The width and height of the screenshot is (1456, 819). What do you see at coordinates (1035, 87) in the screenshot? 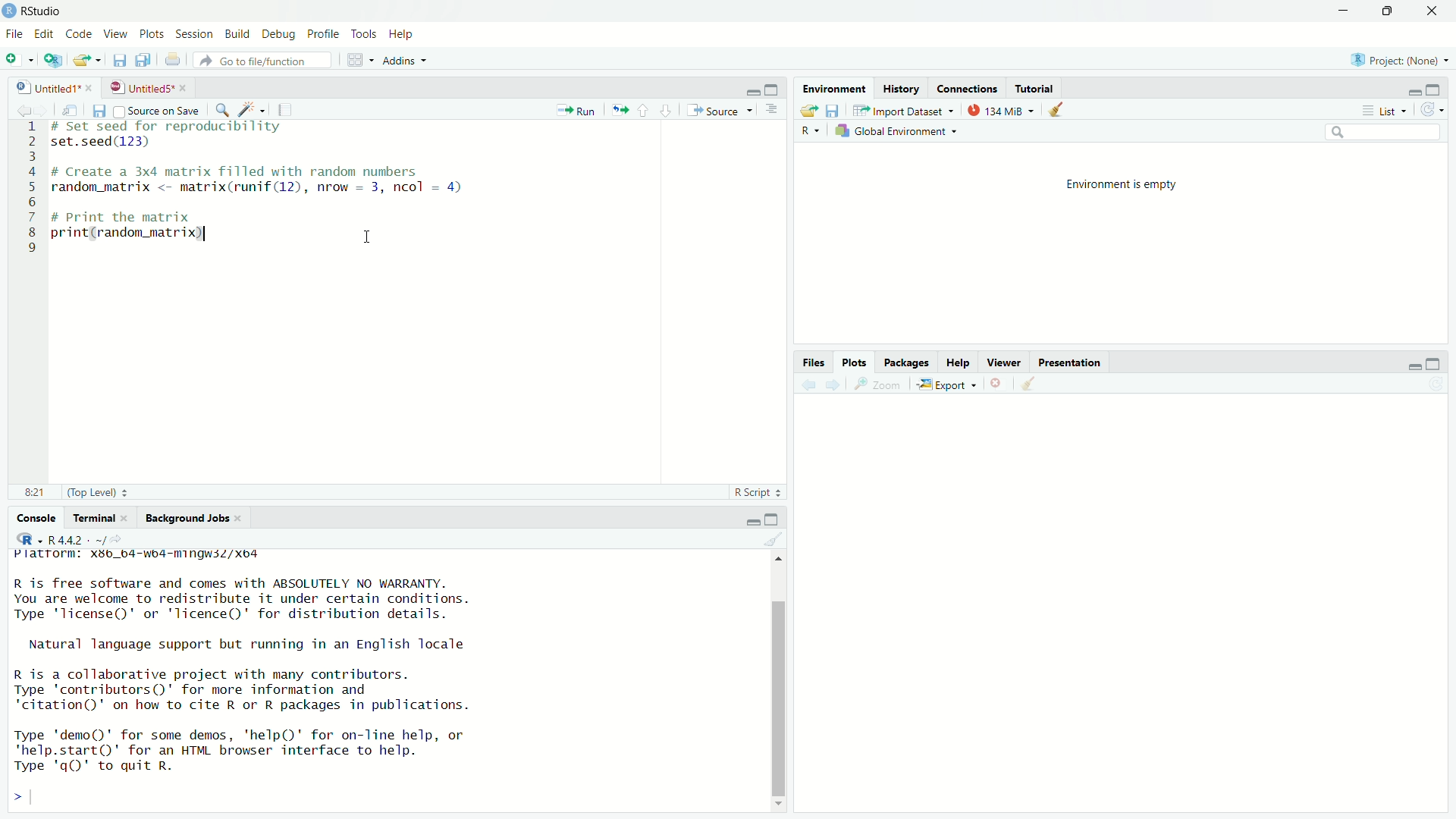
I see `Tutorial` at bounding box center [1035, 87].